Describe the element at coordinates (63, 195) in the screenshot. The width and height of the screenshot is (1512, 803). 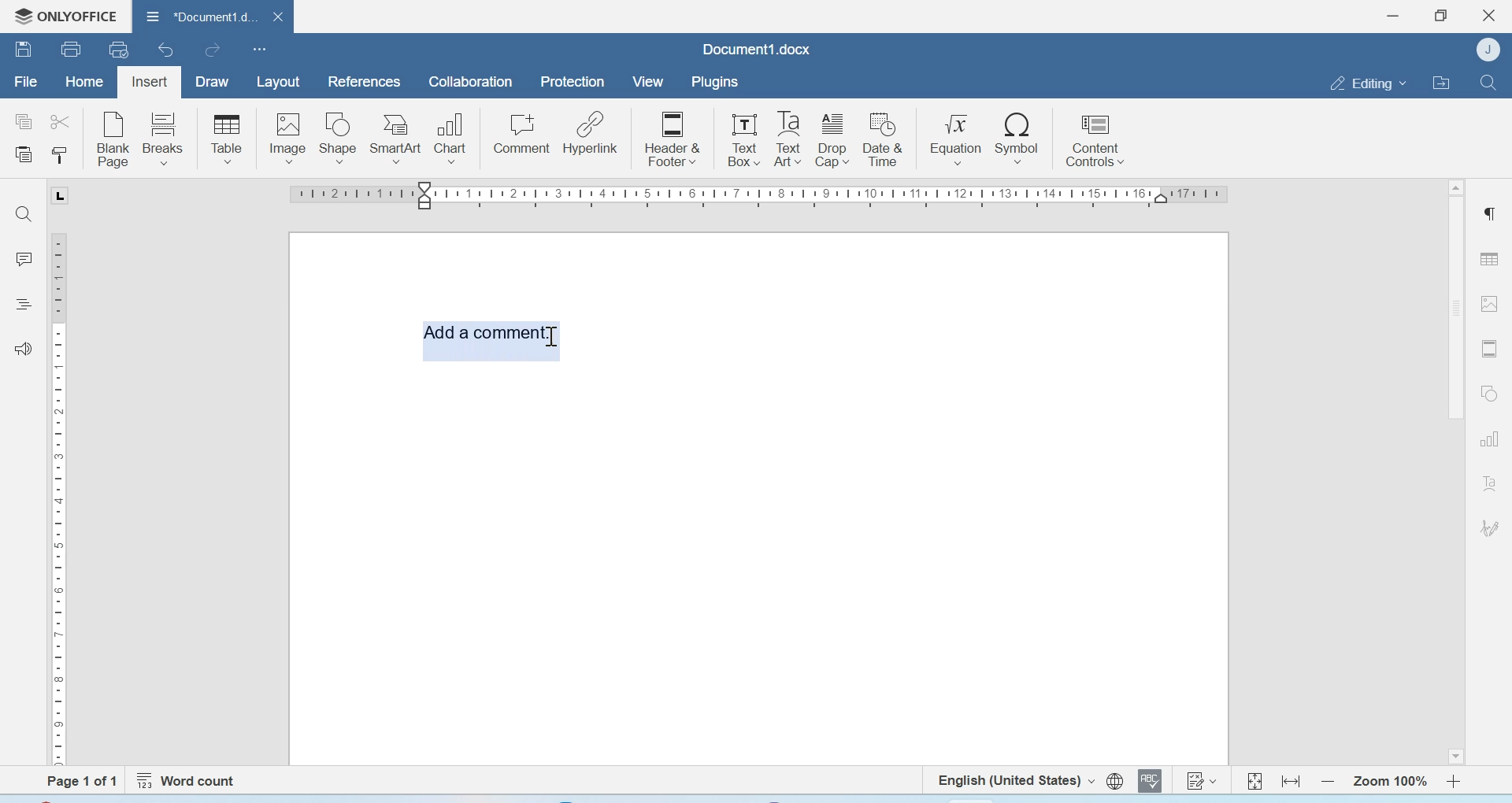
I see `tab stop marker` at that location.